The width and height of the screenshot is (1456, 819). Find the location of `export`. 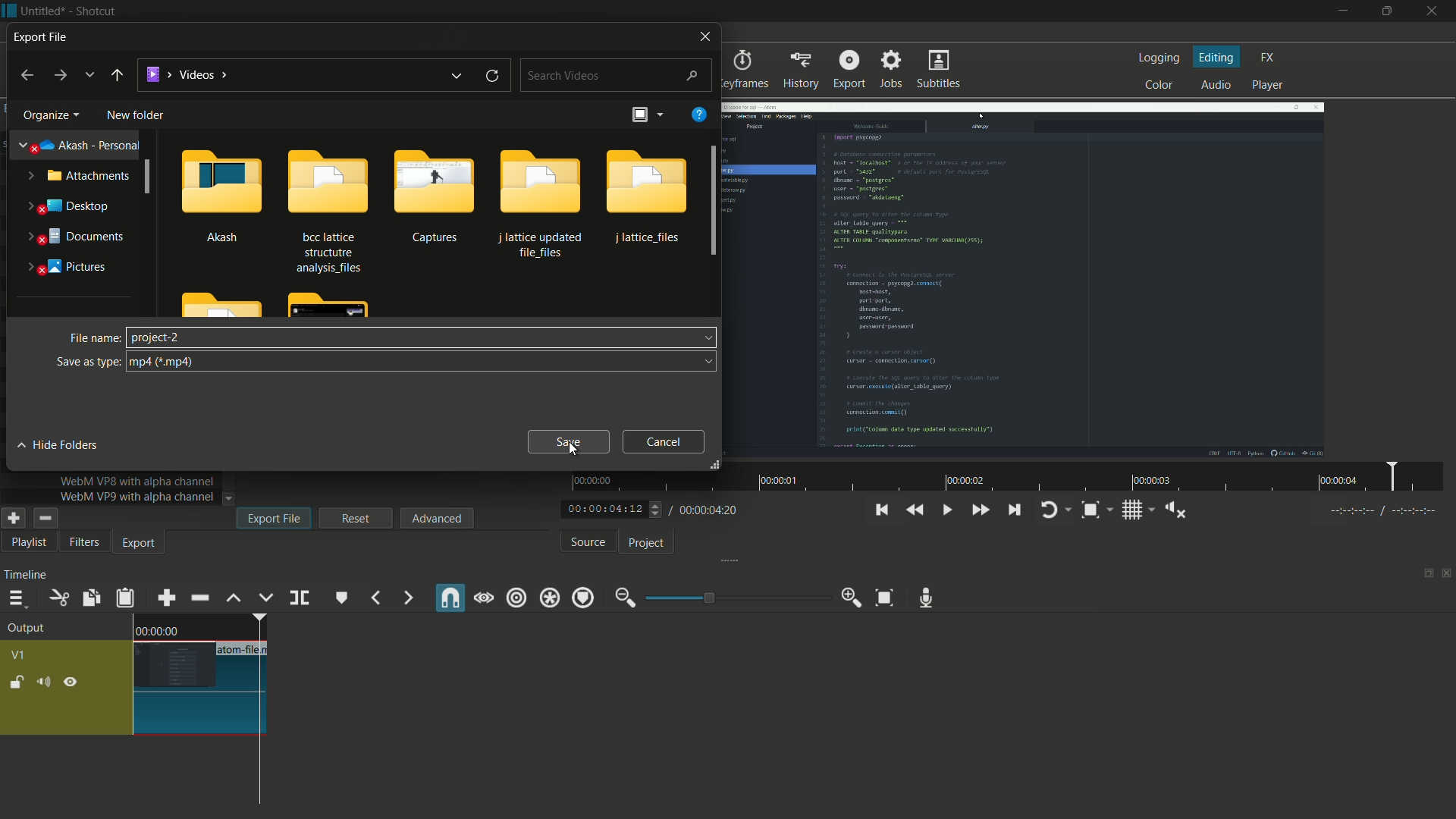

export is located at coordinates (848, 69).